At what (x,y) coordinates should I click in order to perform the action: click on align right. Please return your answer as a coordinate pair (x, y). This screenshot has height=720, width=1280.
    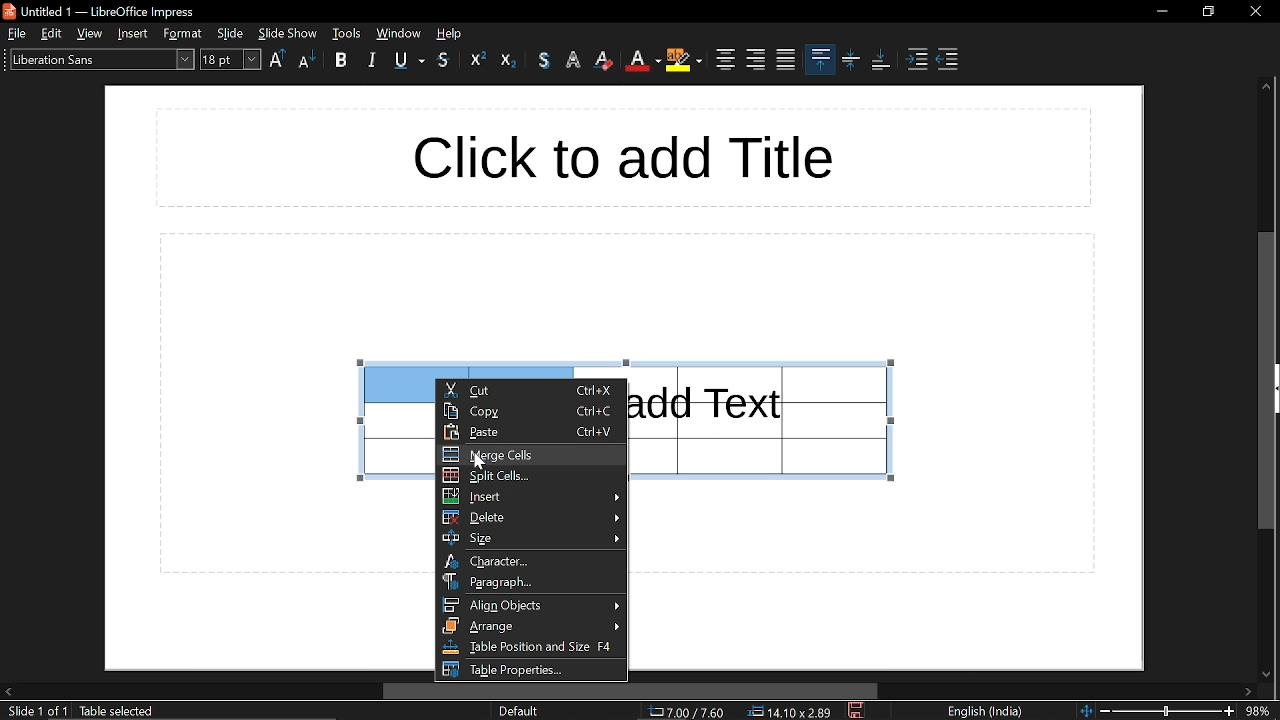
    Looking at the image, I should click on (756, 59).